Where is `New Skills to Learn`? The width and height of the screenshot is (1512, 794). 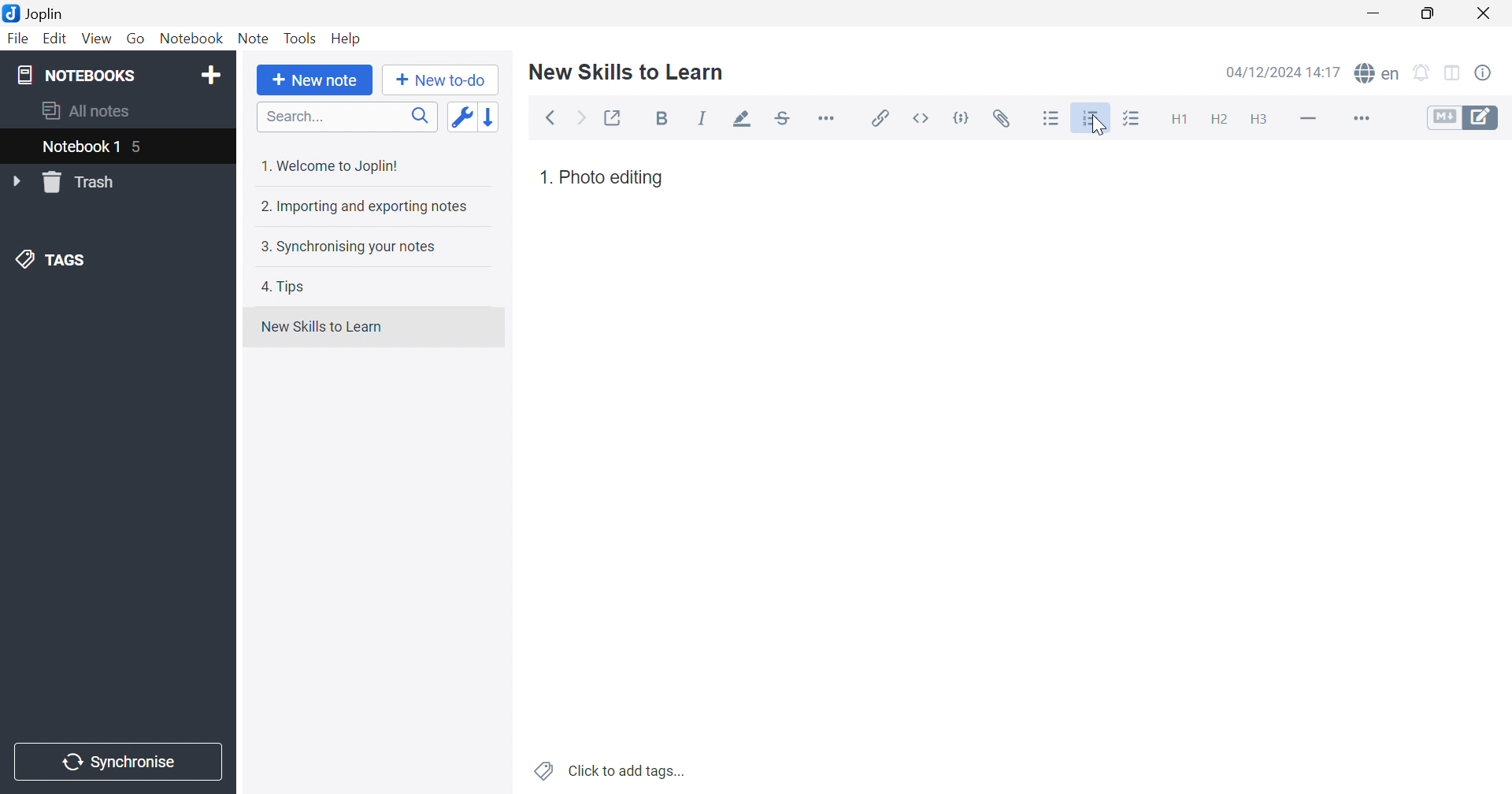 New Skills to Learn is located at coordinates (627, 71).